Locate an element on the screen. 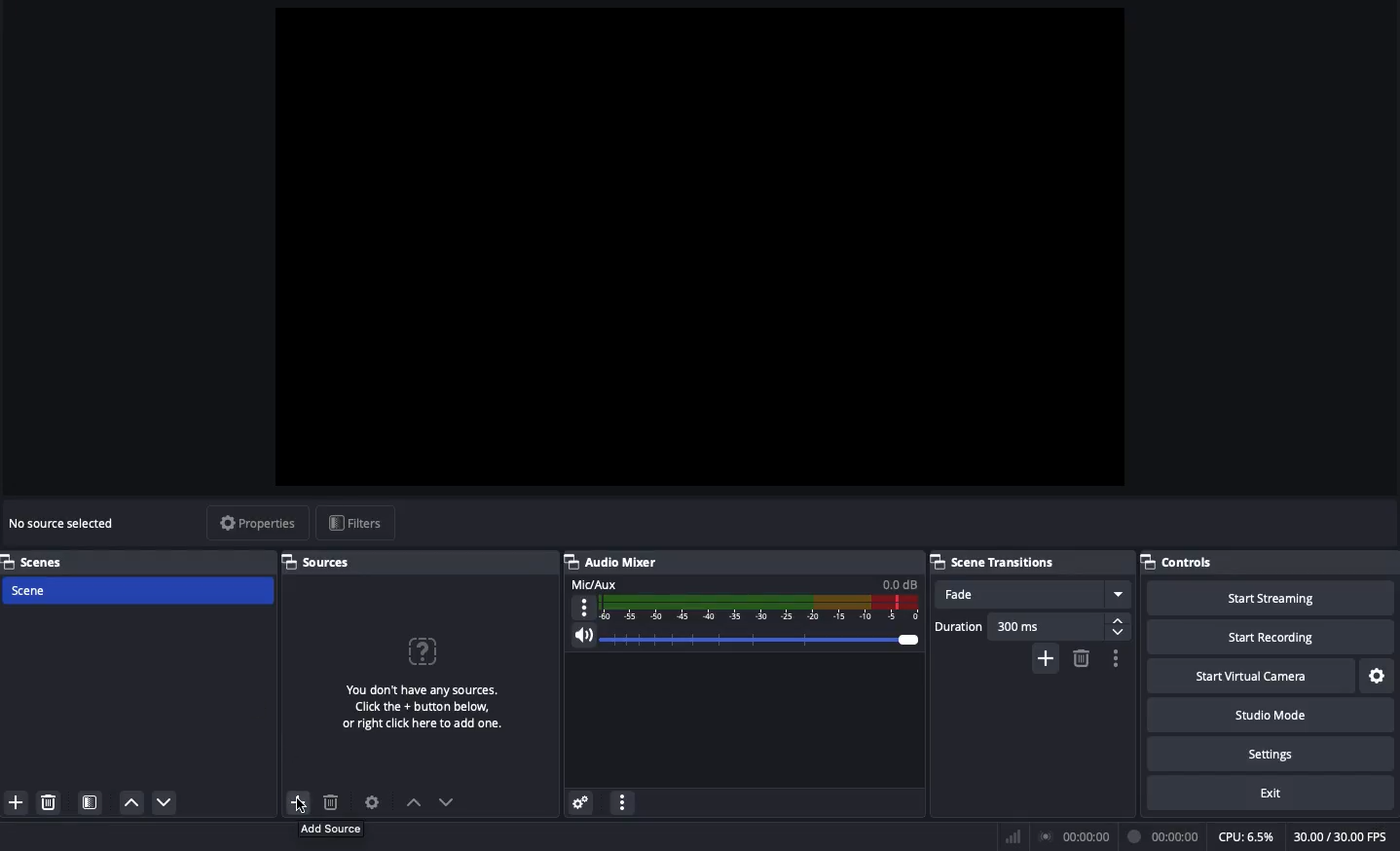 Image resolution: width=1400 pixels, height=851 pixels. move up is located at coordinates (130, 803).